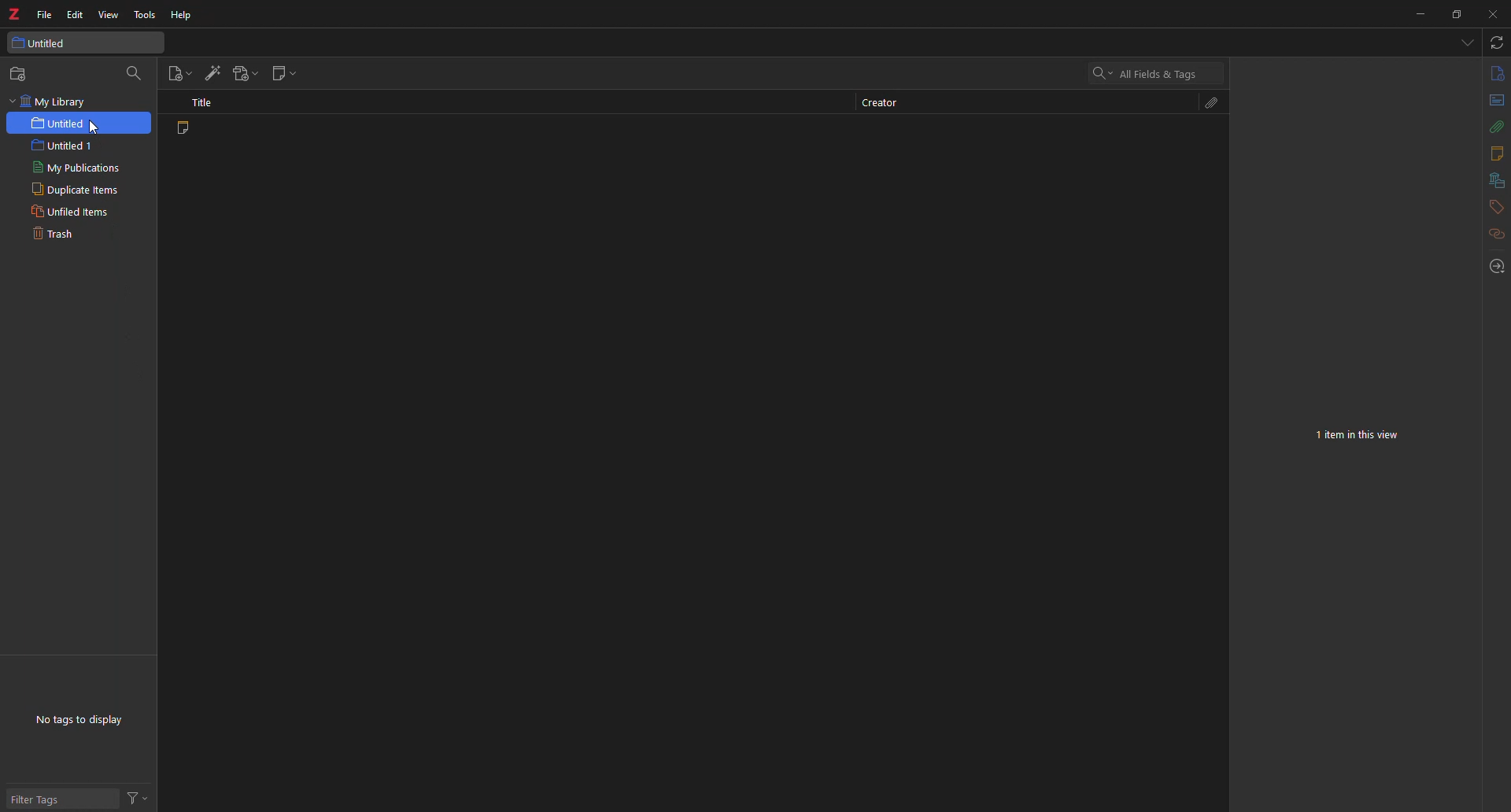  What do you see at coordinates (1214, 105) in the screenshot?
I see `attach` at bounding box center [1214, 105].